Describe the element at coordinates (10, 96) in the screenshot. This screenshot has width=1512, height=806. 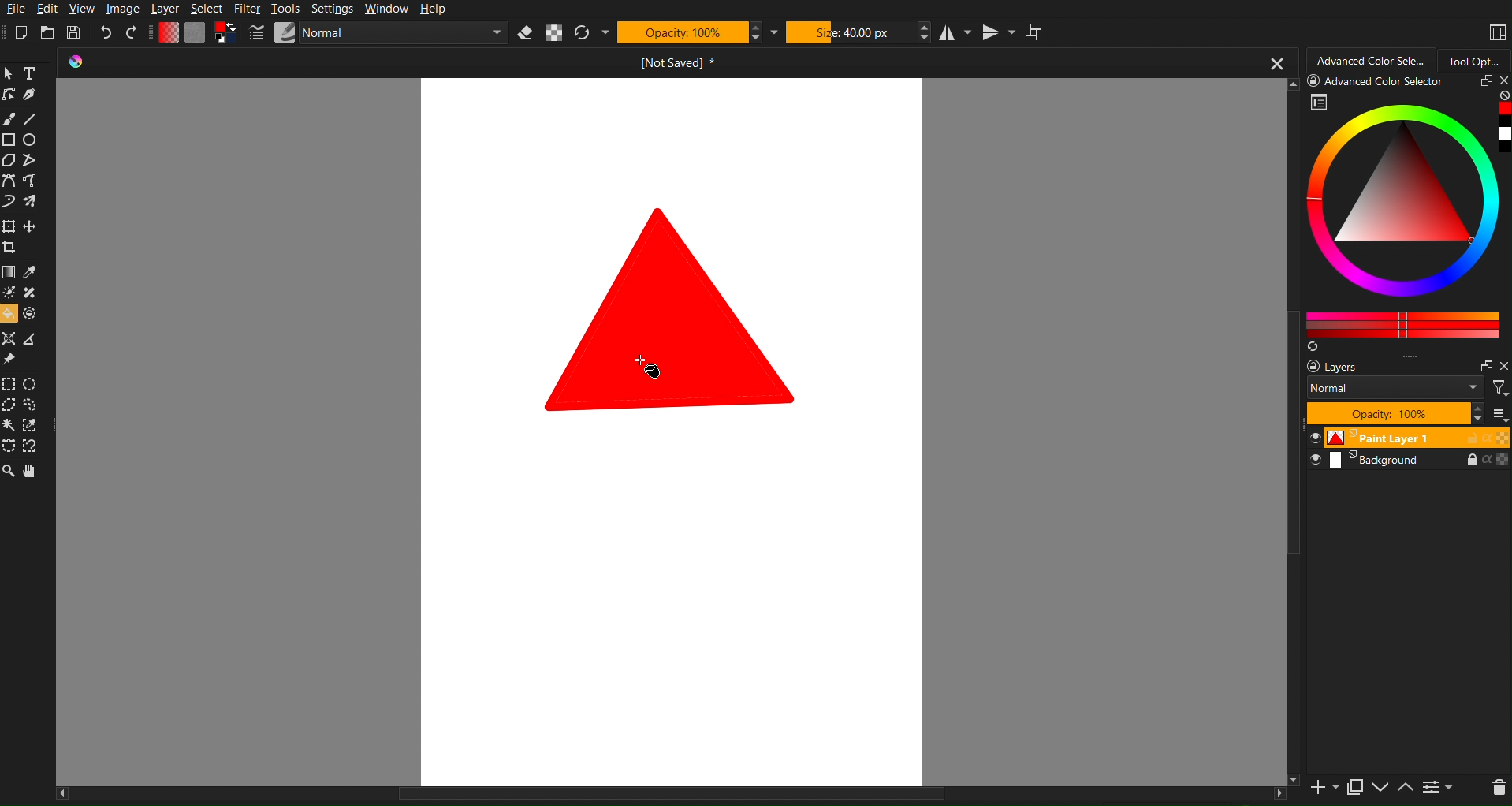
I see `edit shapes tool` at that location.